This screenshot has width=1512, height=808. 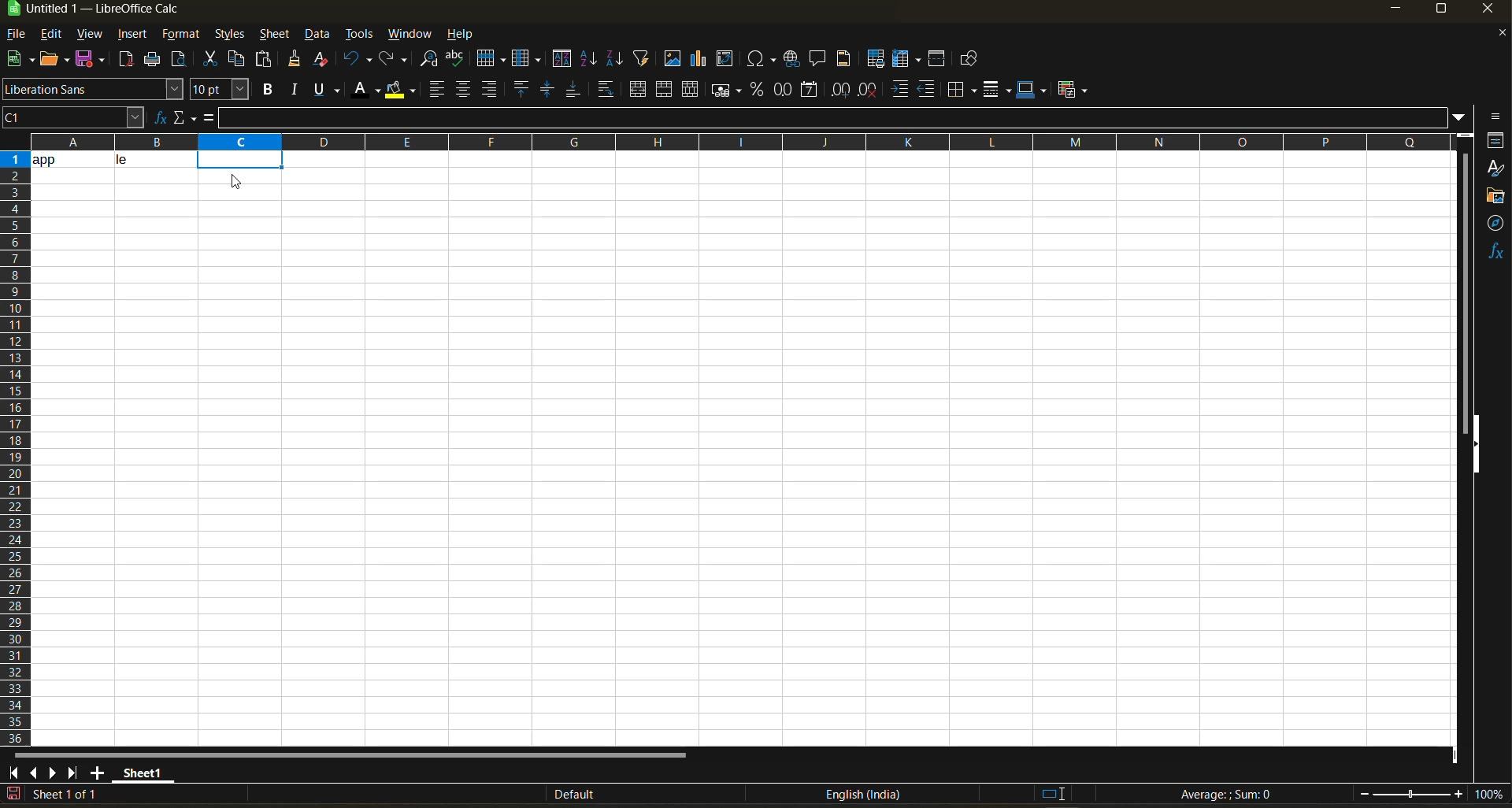 What do you see at coordinates (787, 91) in the screenshot?
I see `format as number` at bounding box center [787, 91].